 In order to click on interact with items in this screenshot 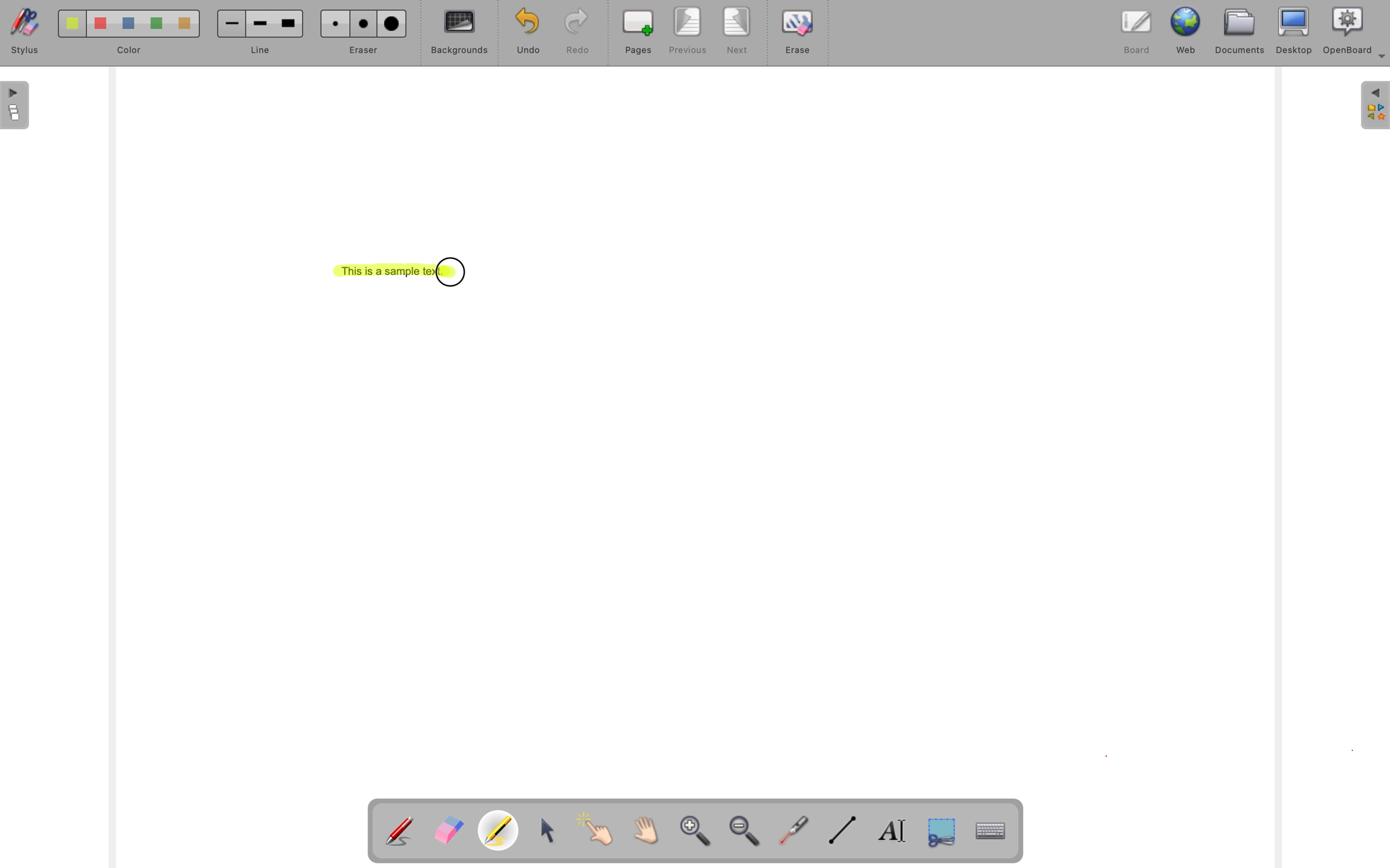, I will do `click(603, 828)`.